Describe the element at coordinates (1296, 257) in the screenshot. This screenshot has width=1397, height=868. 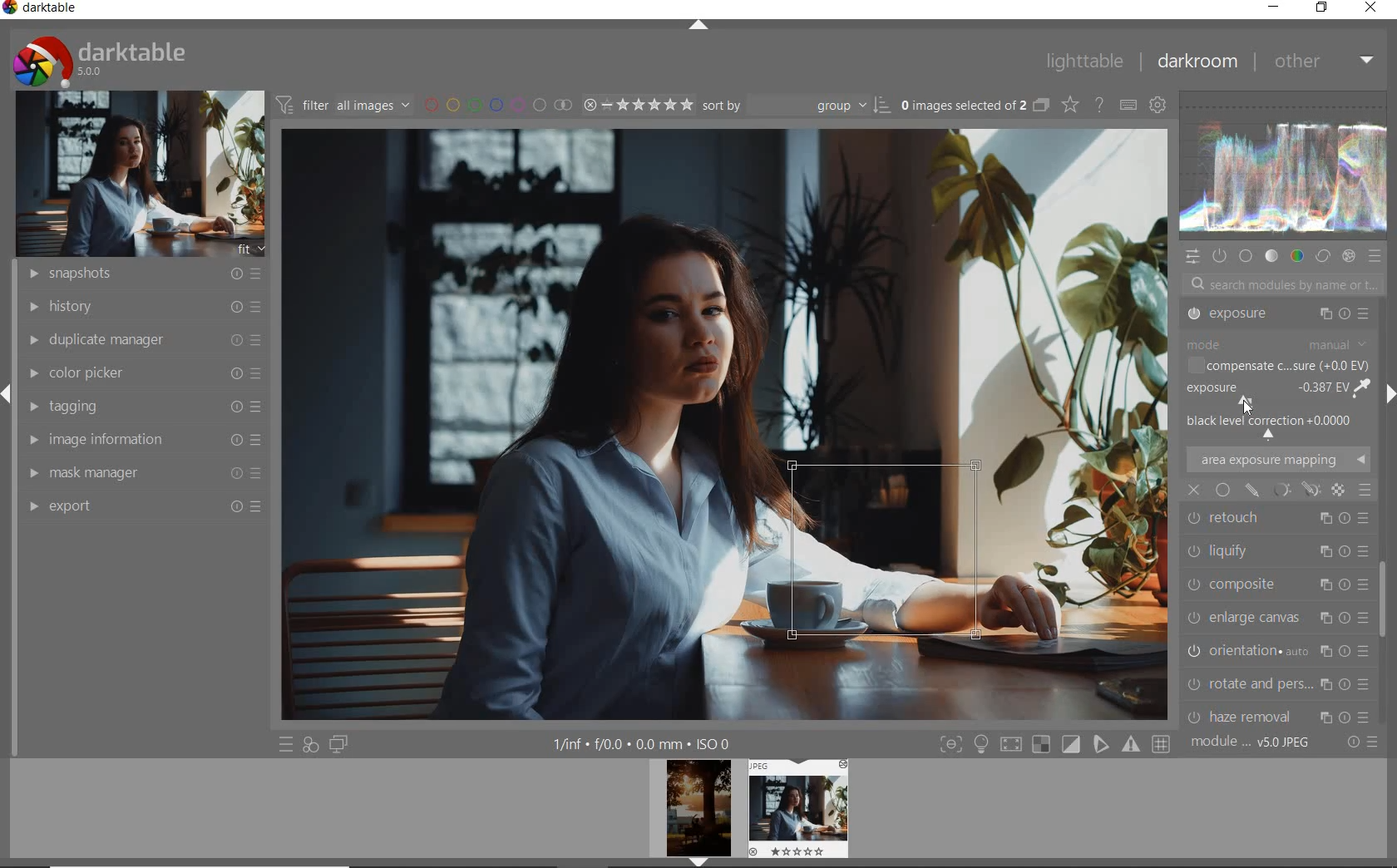
I see `COLOR` at that location.